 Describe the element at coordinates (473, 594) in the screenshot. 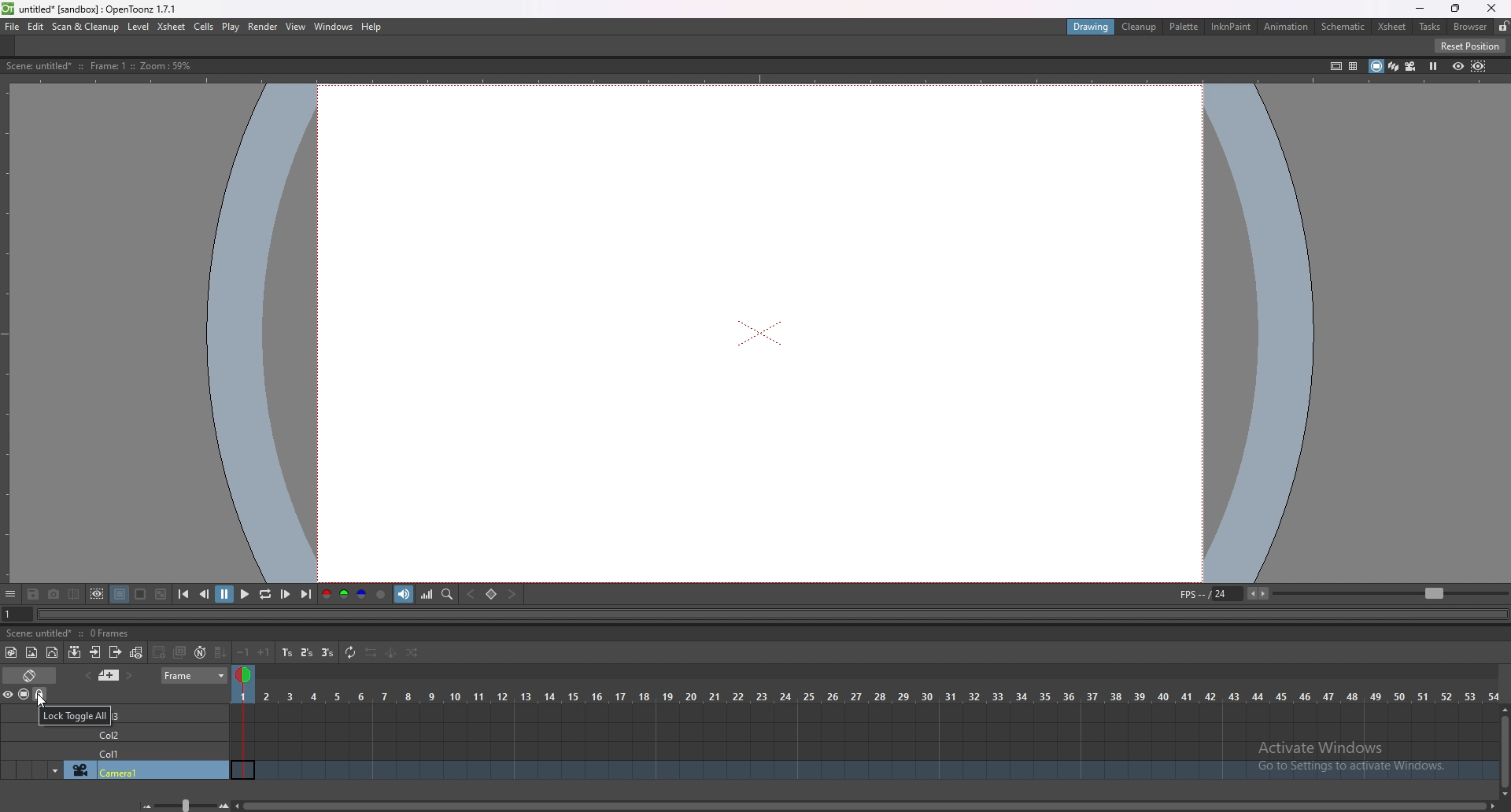

I see `previous key` at that location.